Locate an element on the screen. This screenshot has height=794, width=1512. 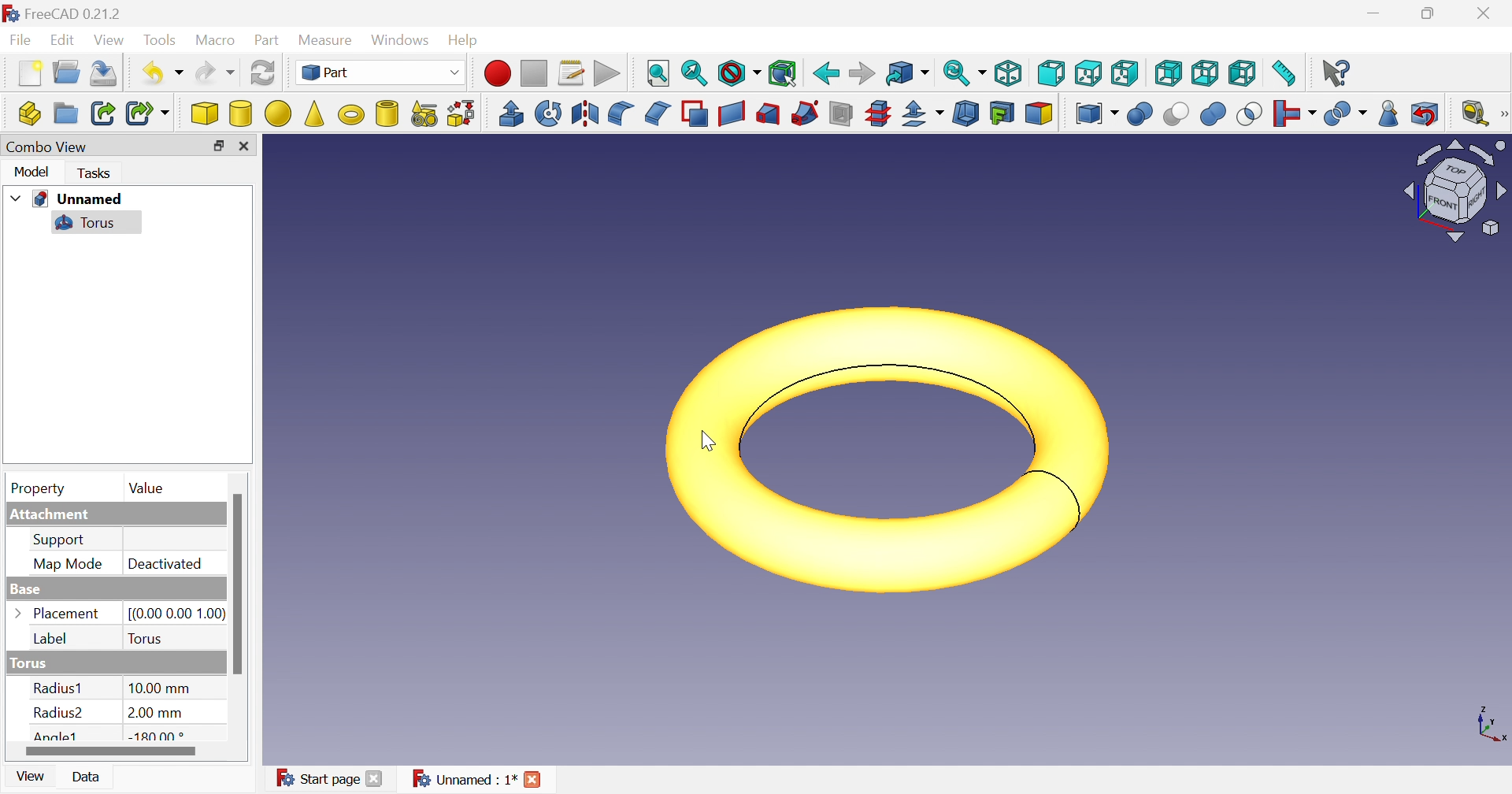
Make face from wires is located at coordinates (695, 113).